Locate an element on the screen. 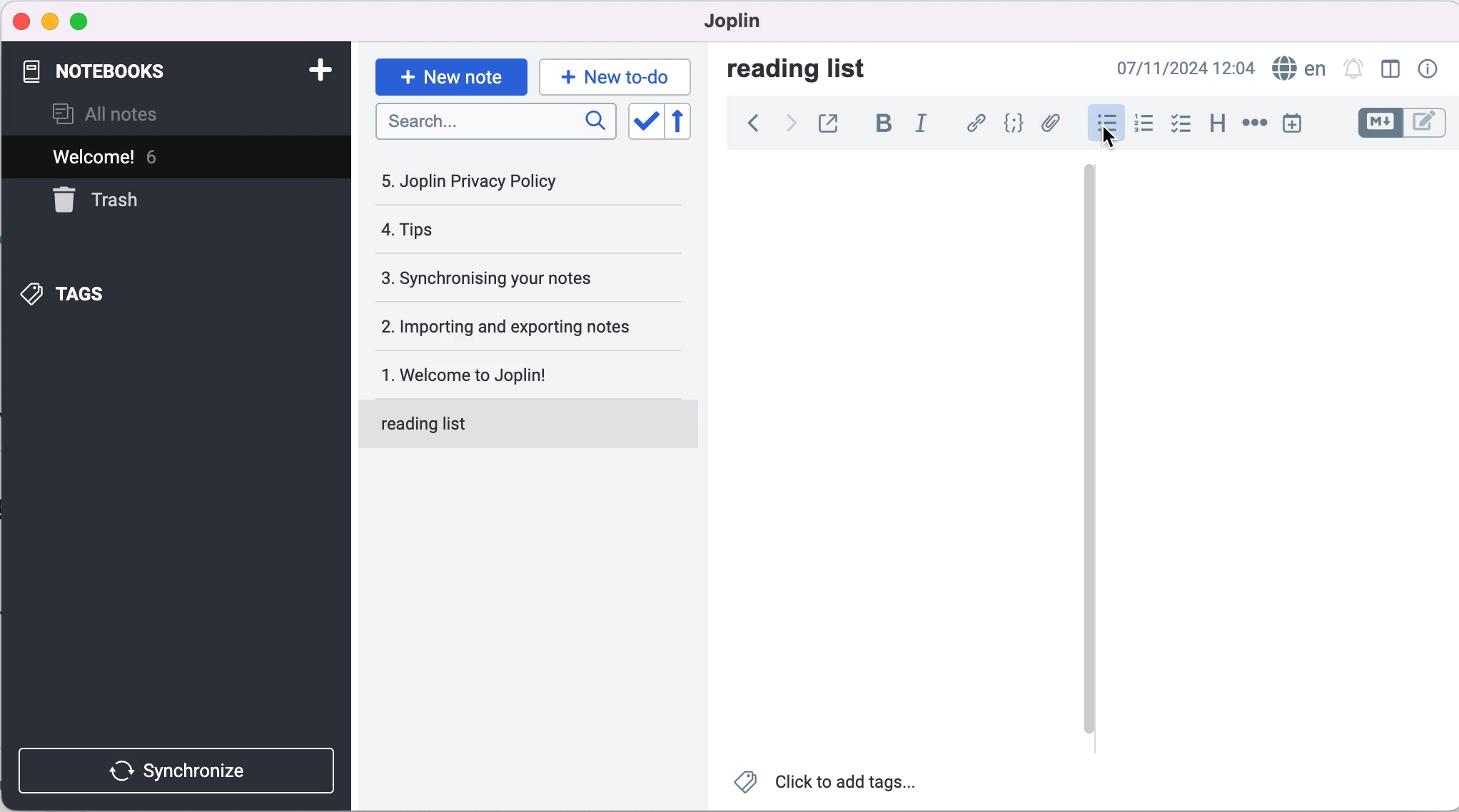 The width and height of the screenshot is (1459, 812). cursor is located at coordinates (1111, 136).